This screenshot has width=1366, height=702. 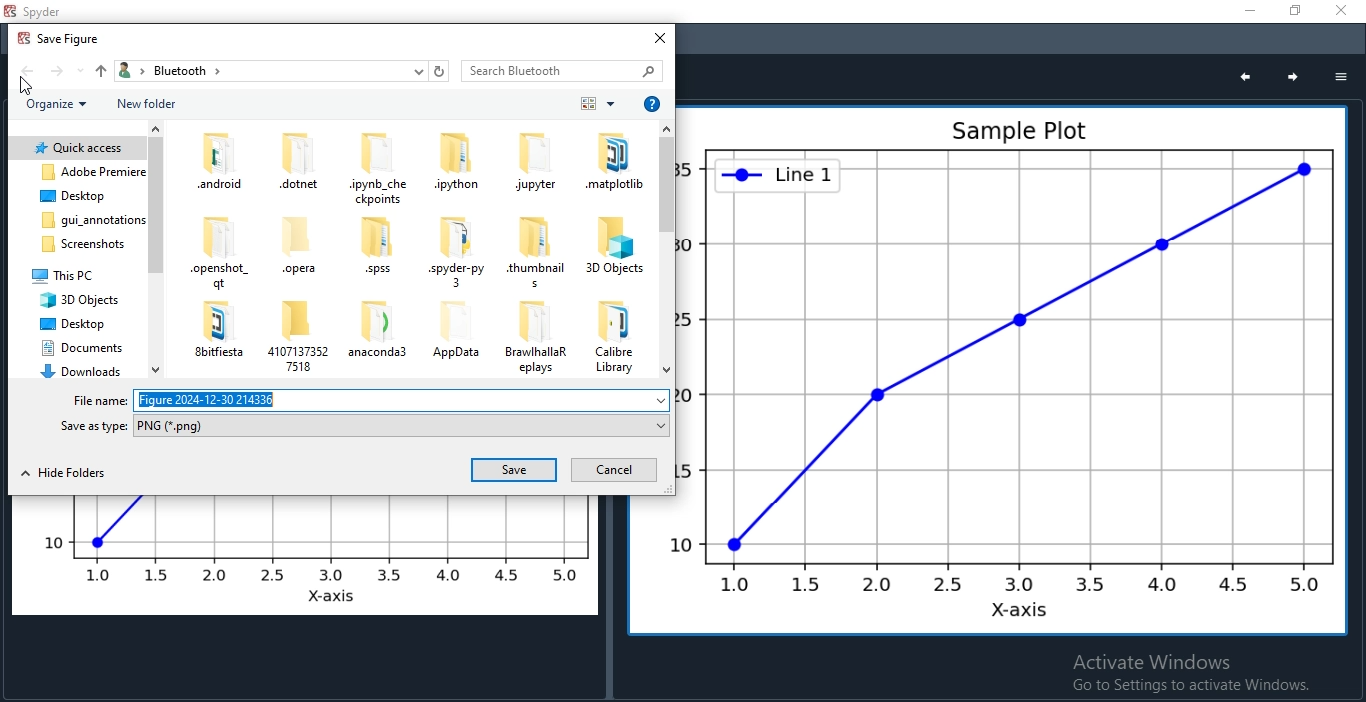 I want to click on files, so click(x=377, y=167).